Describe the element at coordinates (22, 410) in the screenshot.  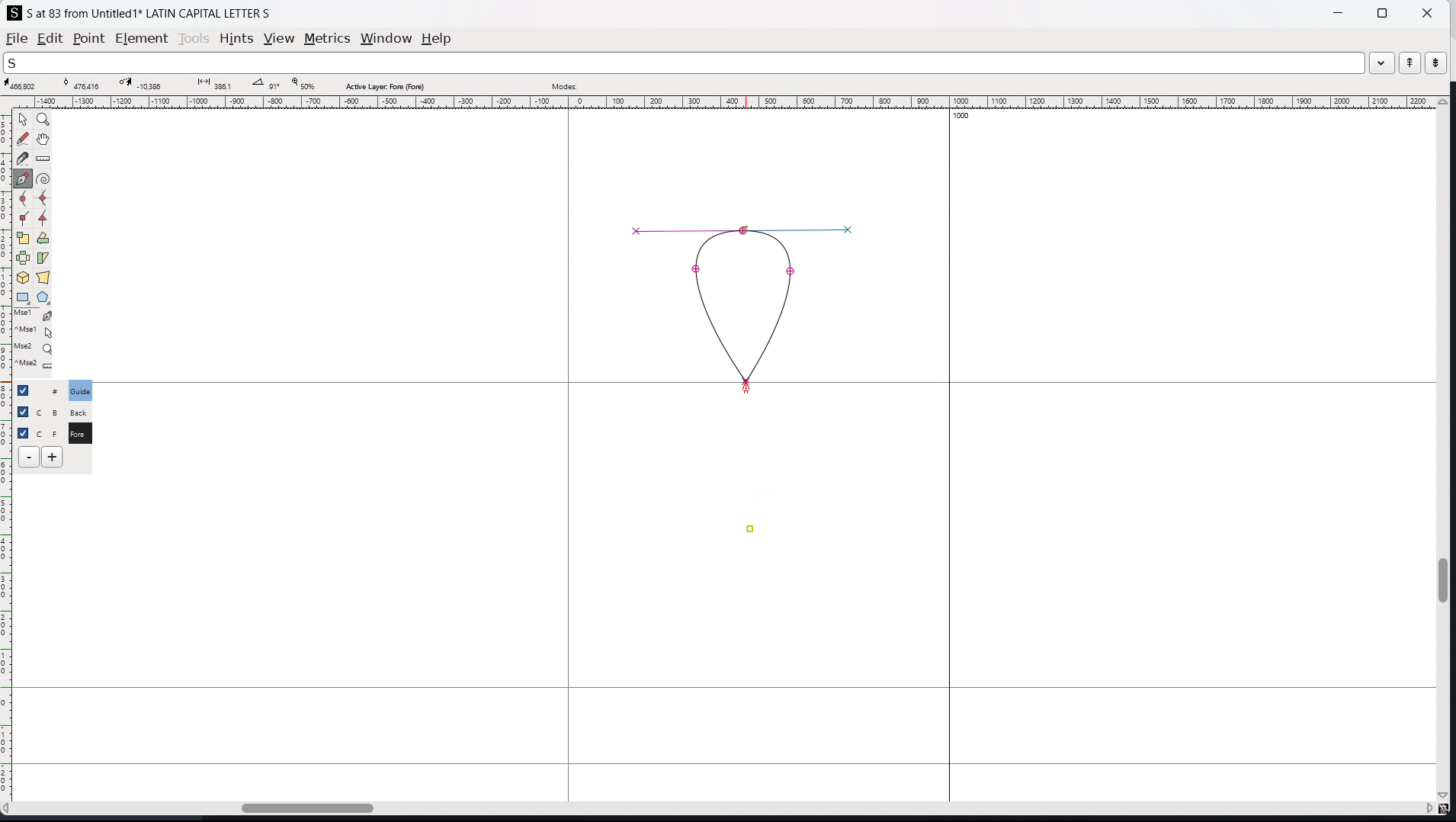
I see `checkbox` at that location.